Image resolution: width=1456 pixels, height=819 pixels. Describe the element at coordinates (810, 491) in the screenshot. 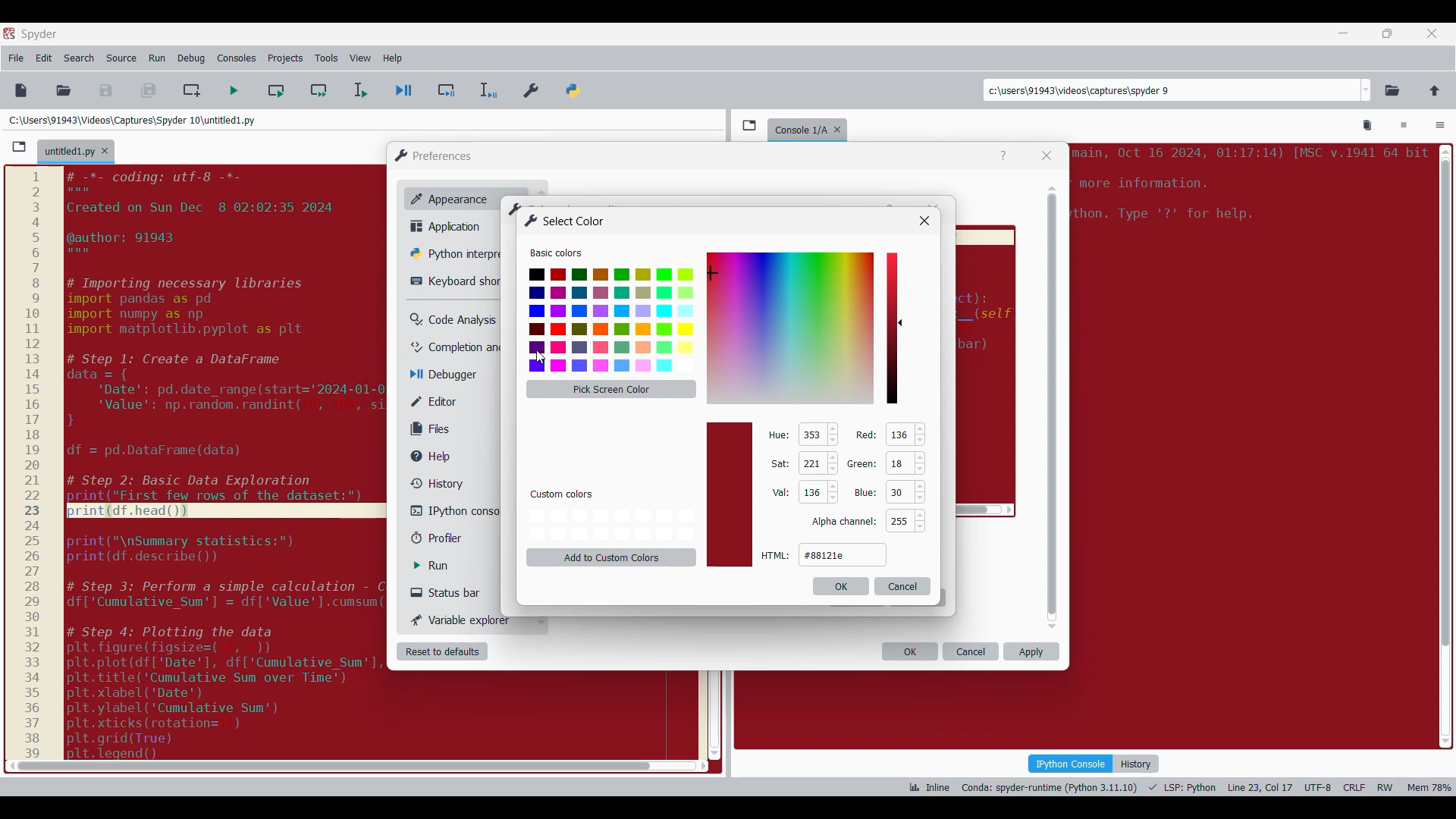

I see `136` at that location.